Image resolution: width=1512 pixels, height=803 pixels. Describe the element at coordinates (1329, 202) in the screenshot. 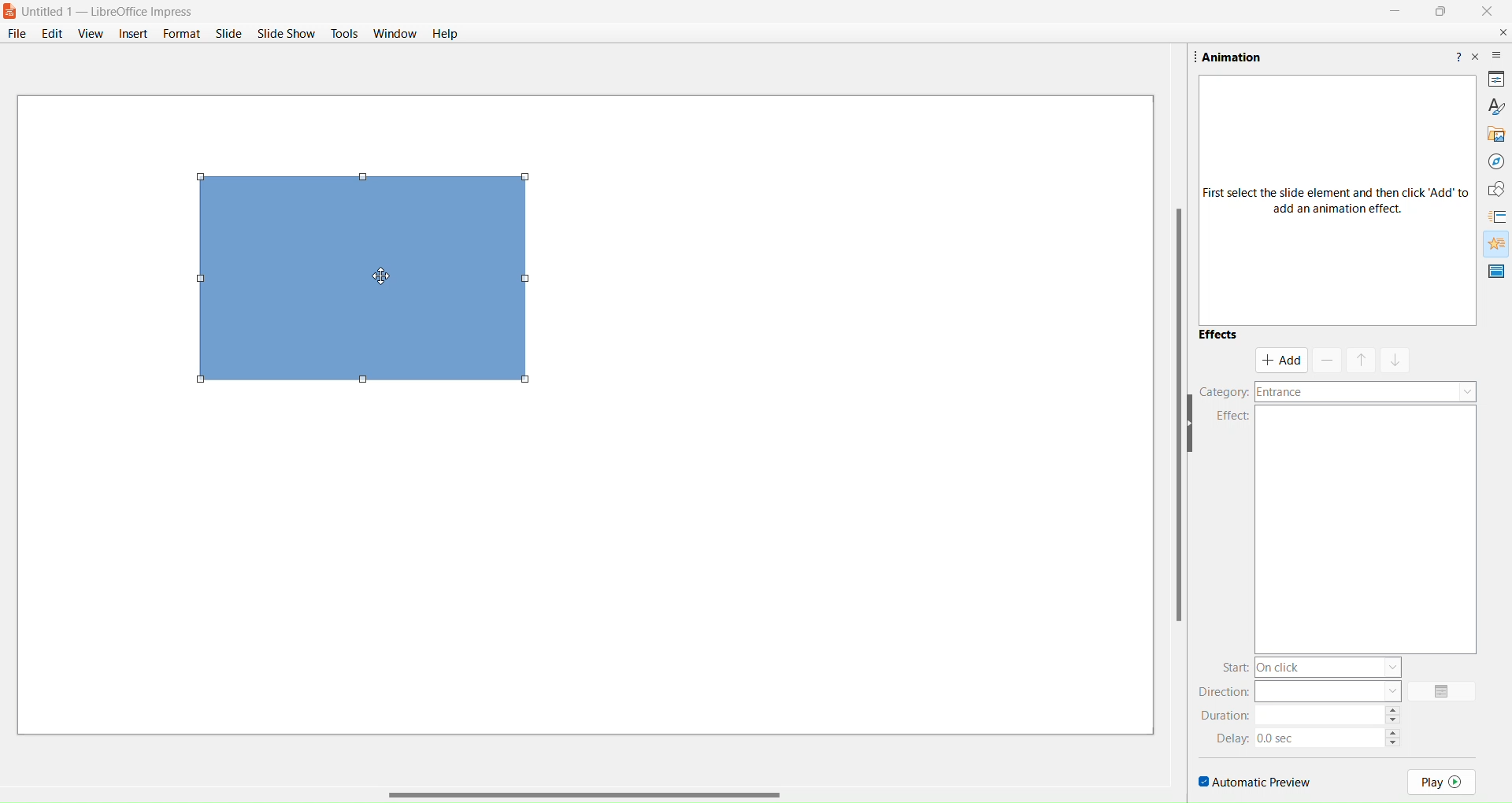

I see `First select the slide element and then click ‘Add" to
add an animation effect.` at that location.